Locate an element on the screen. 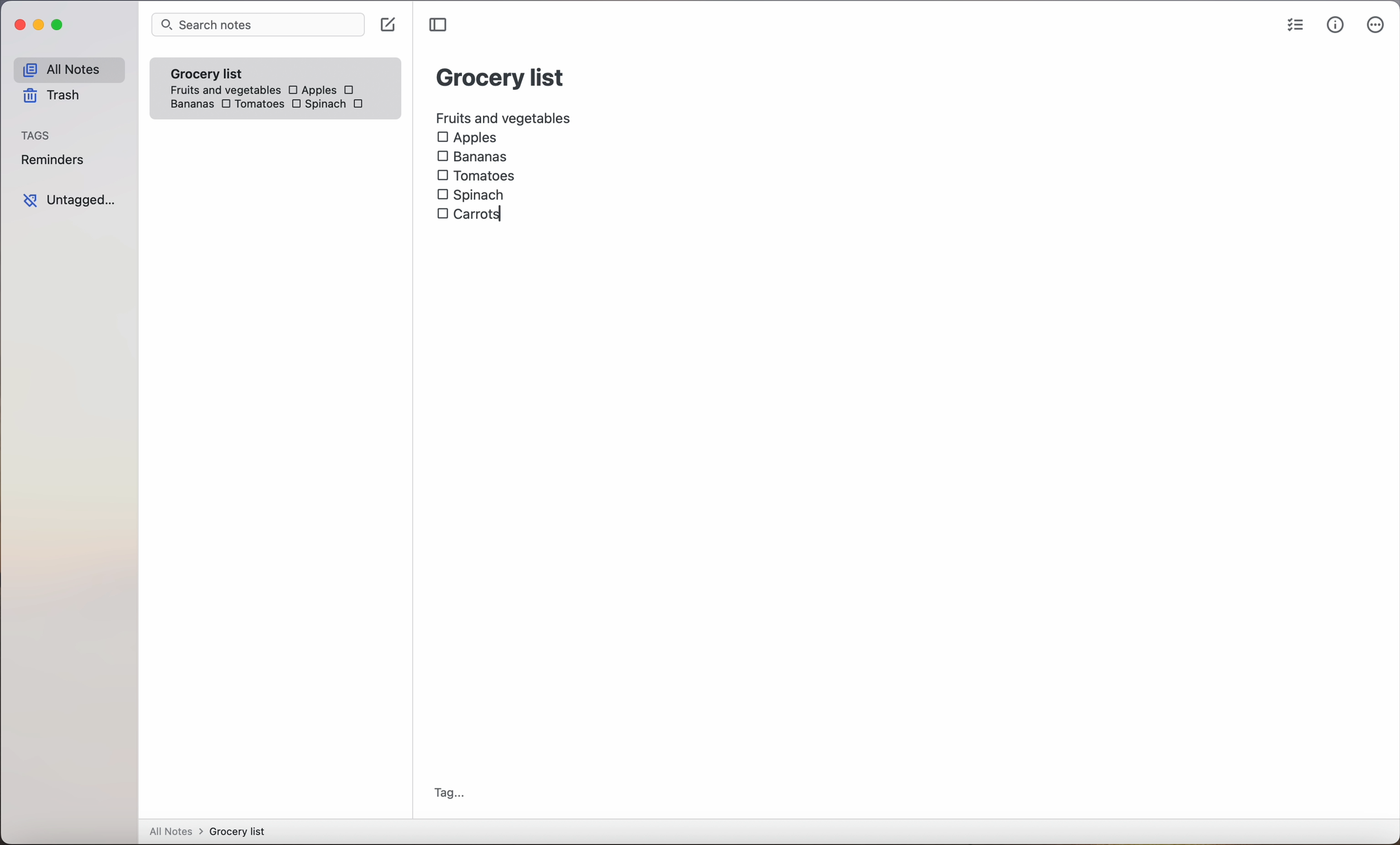  search bar is located at coordinates (257, 26).